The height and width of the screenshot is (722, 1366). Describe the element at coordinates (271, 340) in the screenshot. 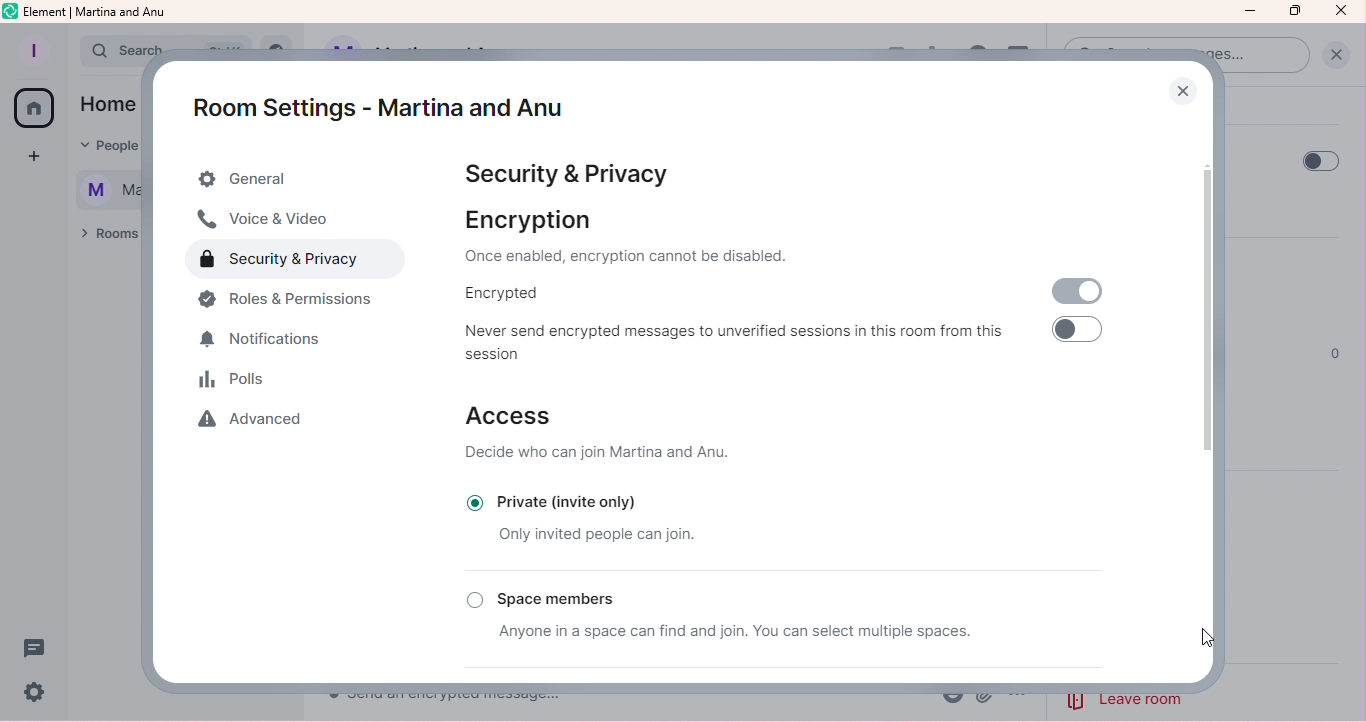

I see `Notifications` at that location.